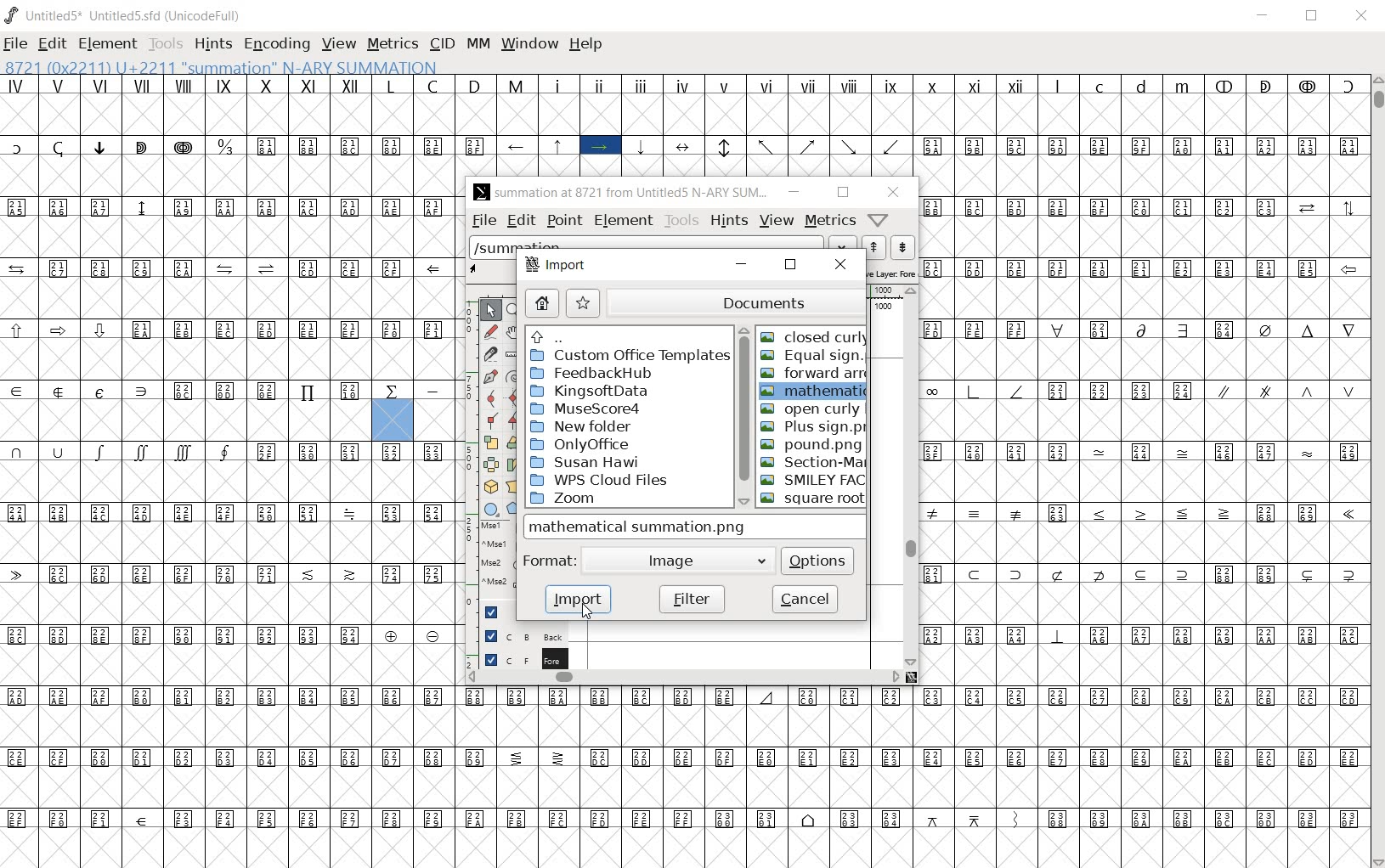 The width and height of the screenshot is (1385, 868). What do you see at coordinates (685, 560) in the screenshot?
I see `Image` at bounding box center [685, 560].